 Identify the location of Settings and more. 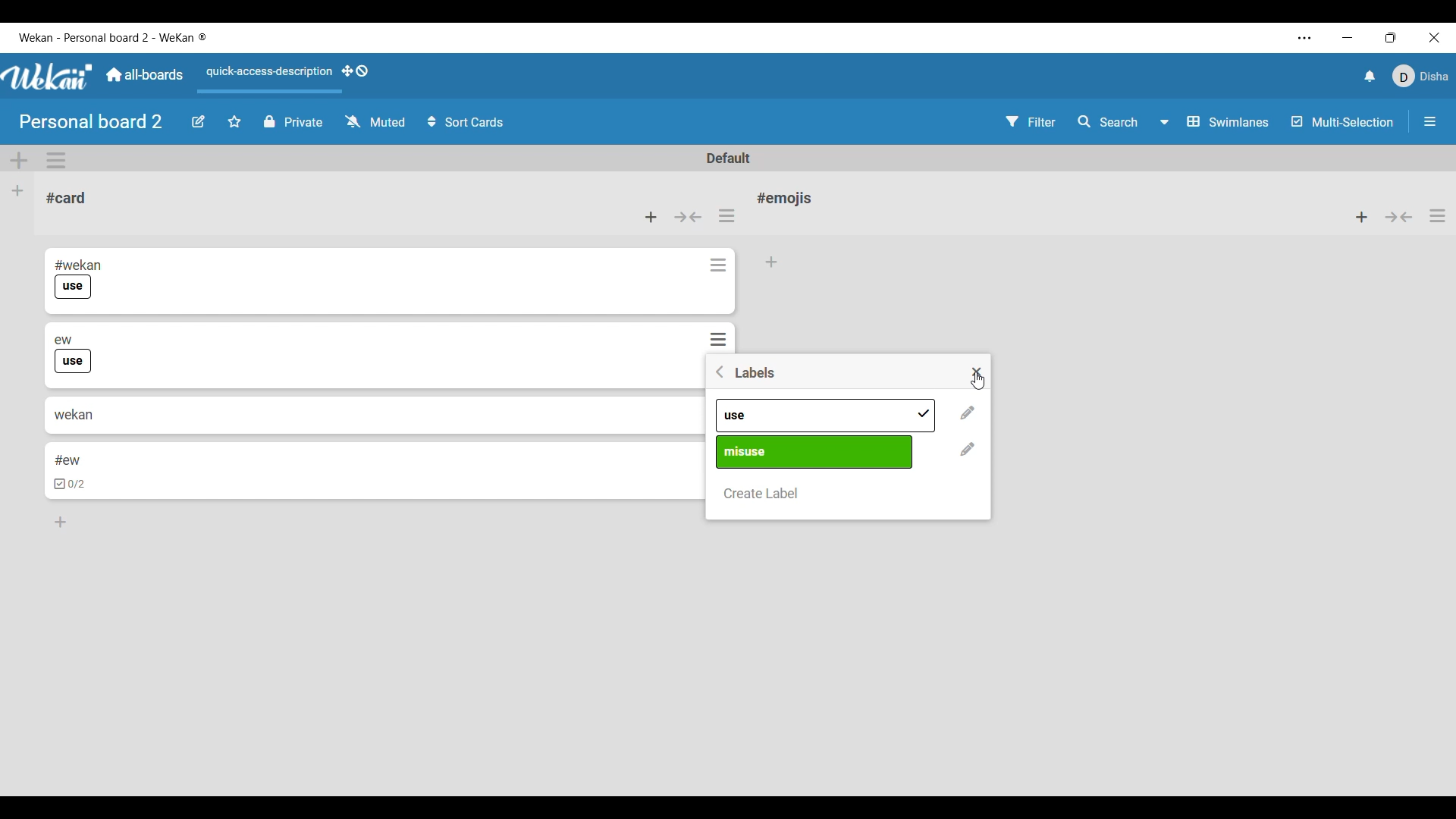
(1305, 38).